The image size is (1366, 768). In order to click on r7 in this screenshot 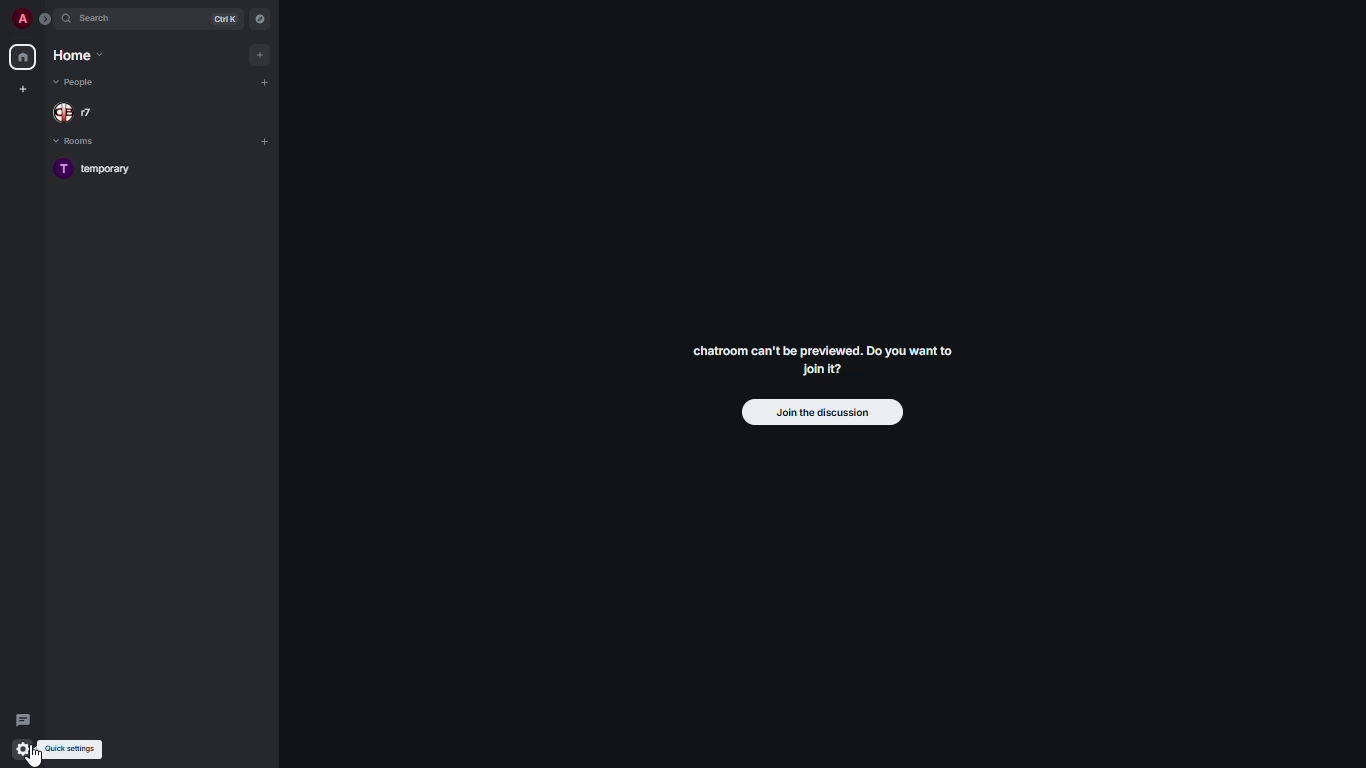, I will do `click(81, 111)`.